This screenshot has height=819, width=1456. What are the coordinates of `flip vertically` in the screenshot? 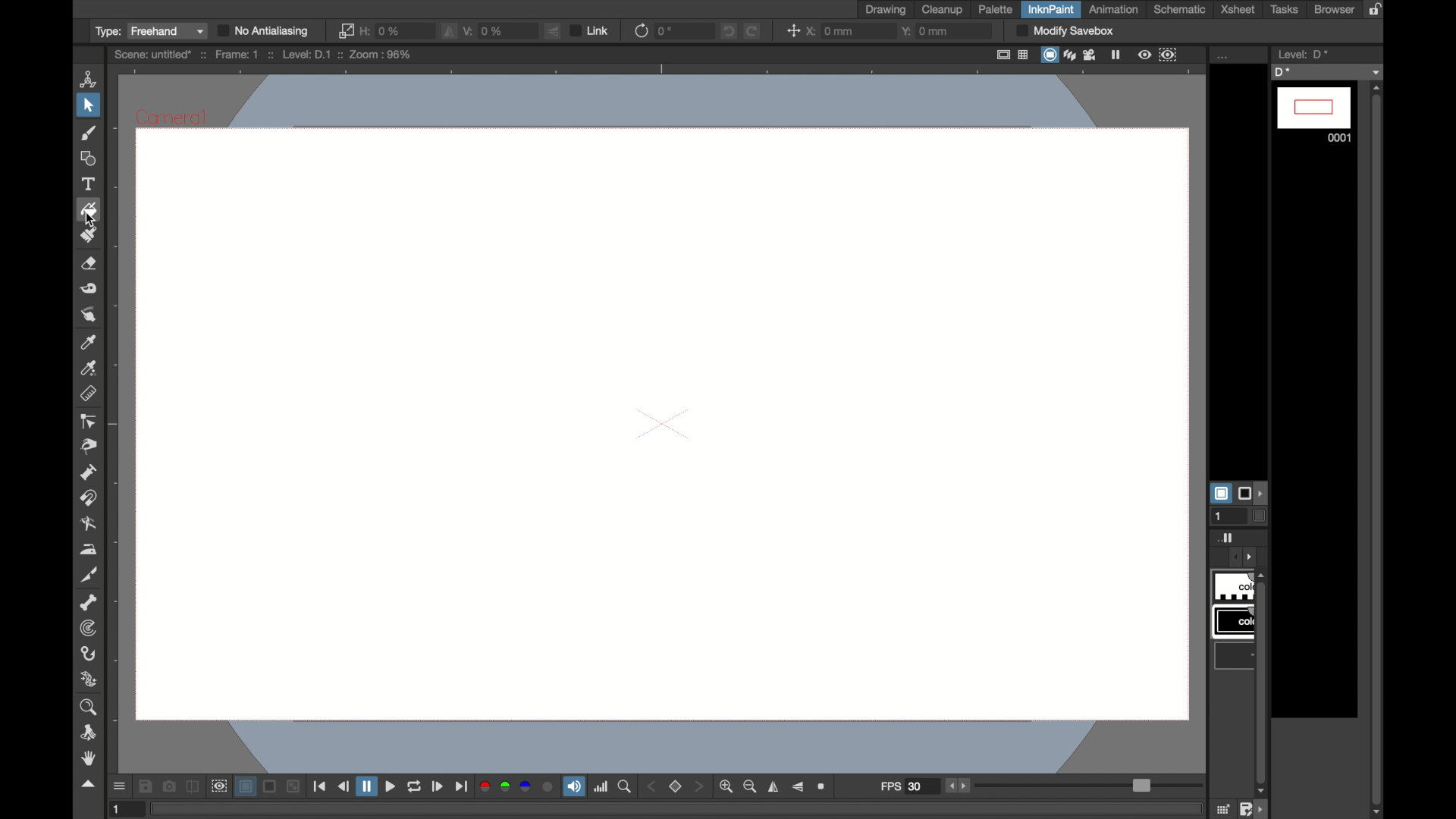 It's located at (796, 787).